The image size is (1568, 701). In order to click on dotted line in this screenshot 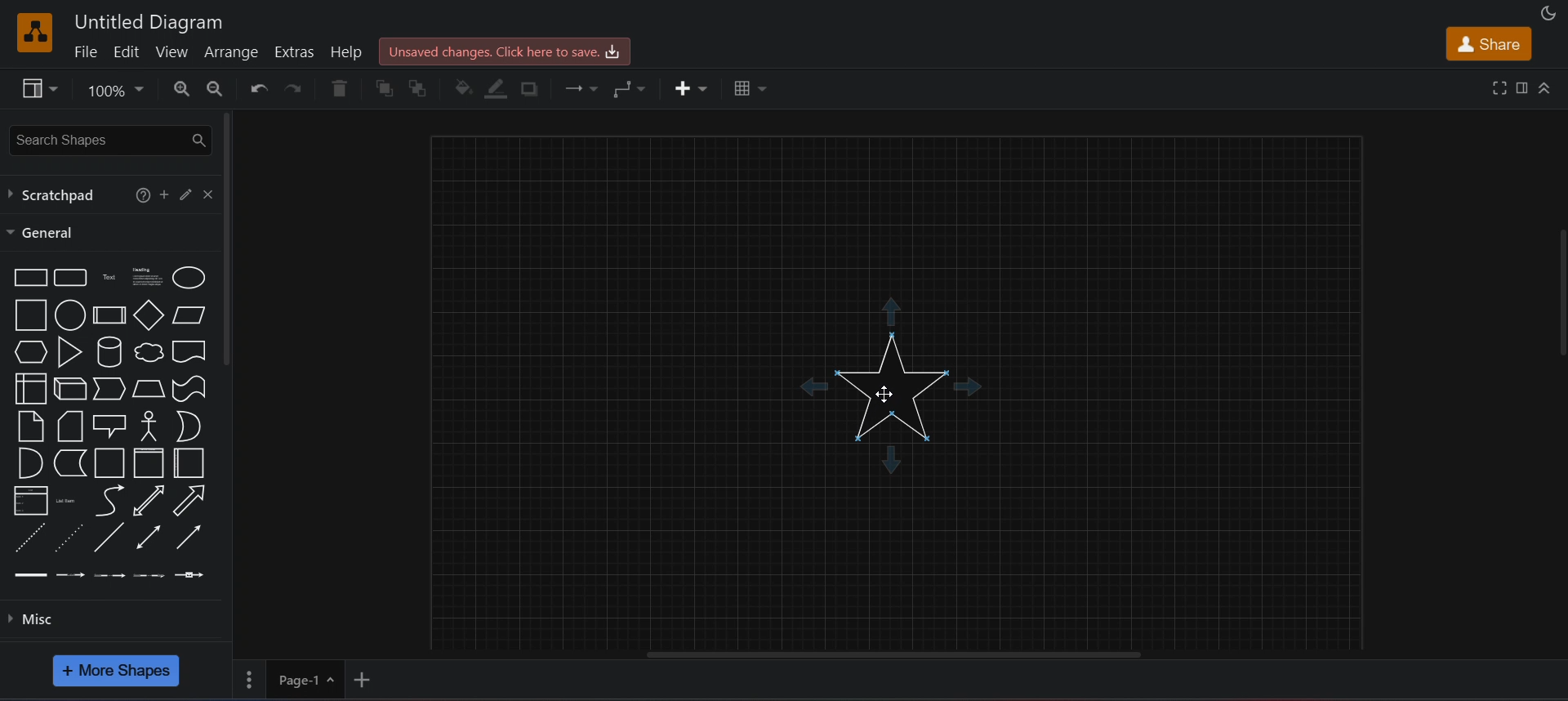, I will do `click(68, 537)`.